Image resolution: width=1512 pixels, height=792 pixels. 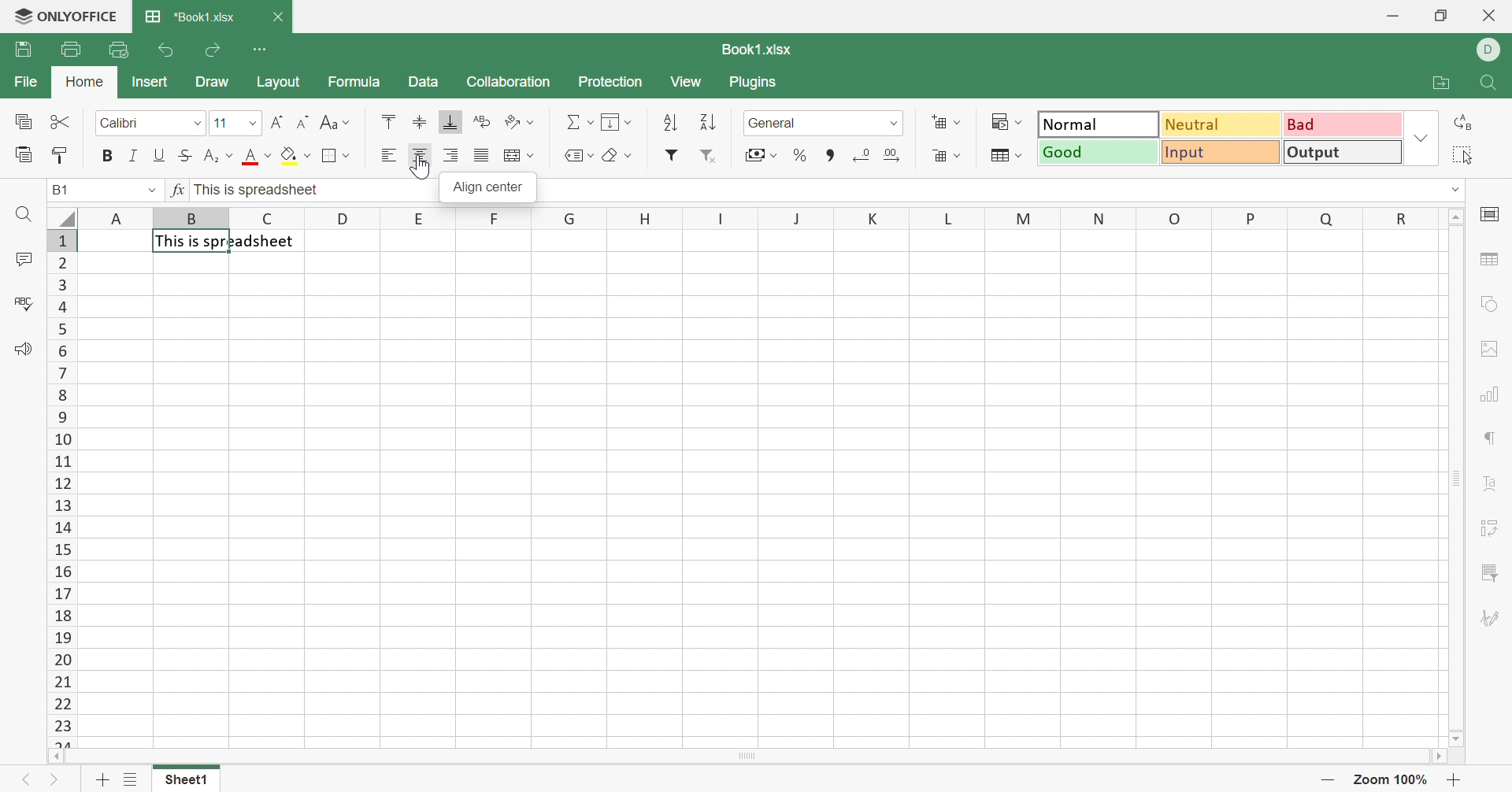 What do you see at coordinates (509, 80) in the screenshot?
I see `Collaboration` at bounding box center [509, 80].